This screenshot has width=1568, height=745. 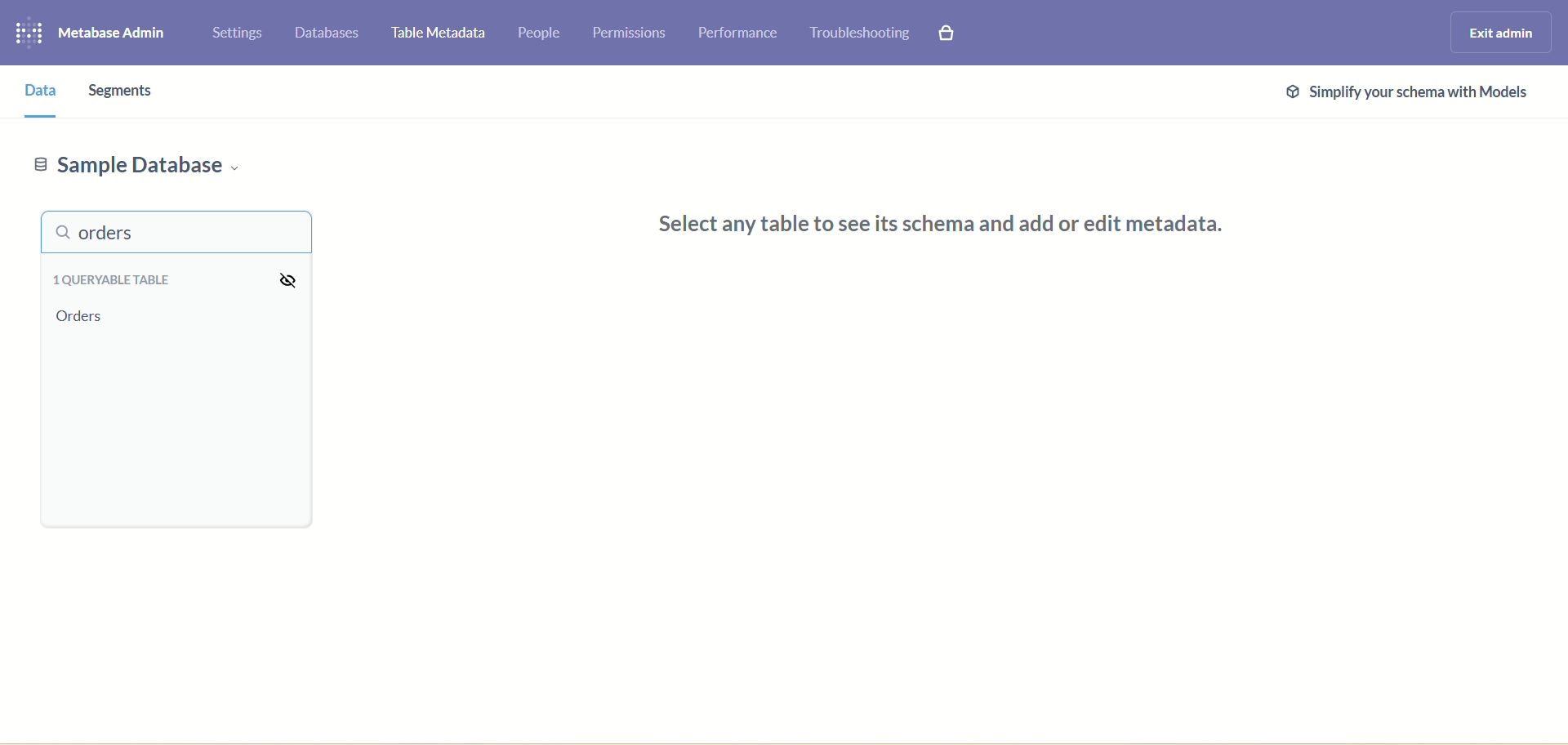 I want to click on @ Simplify your schema with Models, so click(x=1405, y=92).